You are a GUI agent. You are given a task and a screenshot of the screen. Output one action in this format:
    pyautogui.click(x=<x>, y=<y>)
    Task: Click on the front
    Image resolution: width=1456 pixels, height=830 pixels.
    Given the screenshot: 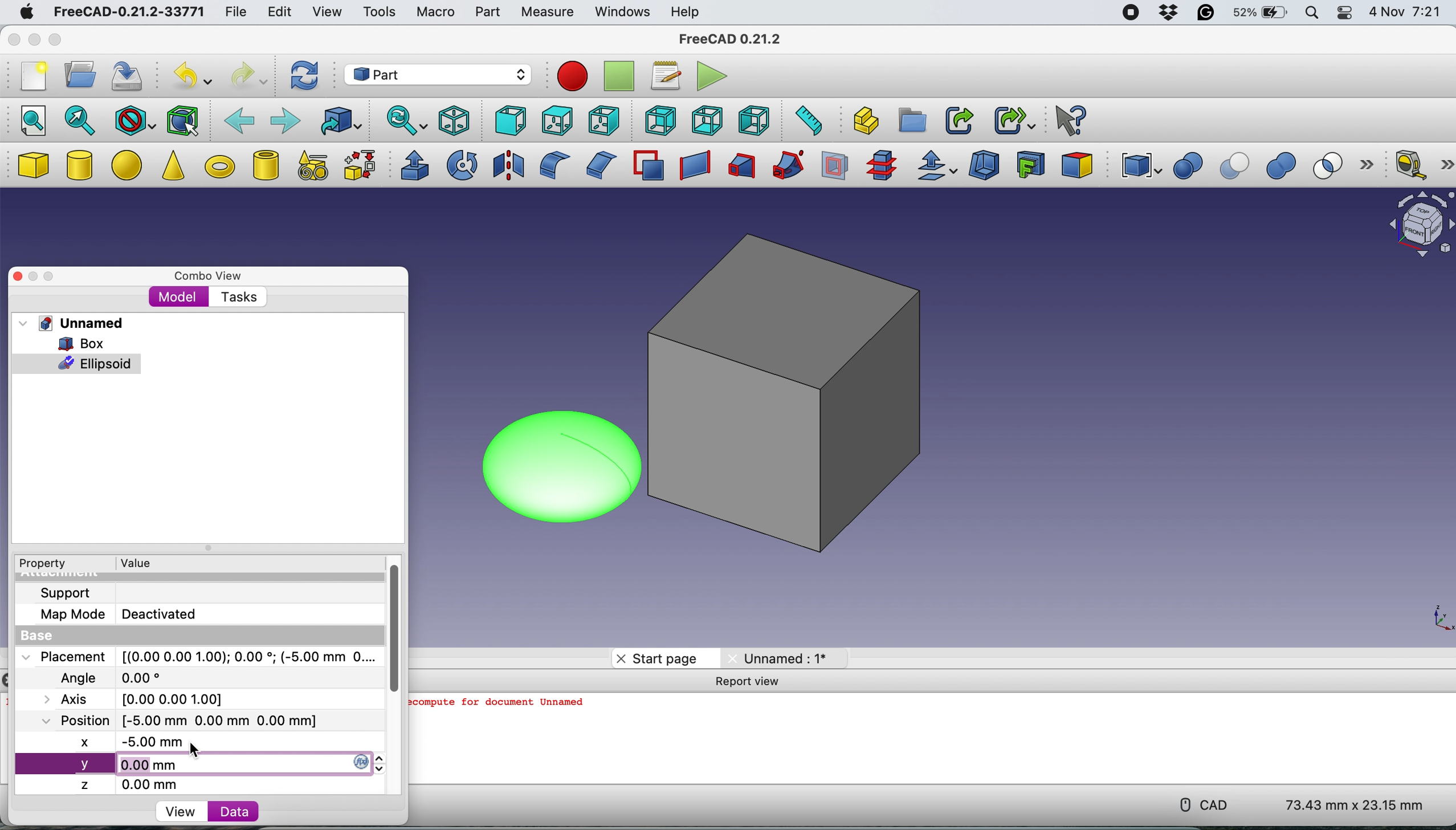 What is the action you would take?
    pyautogui.click(x=508, y=121)
    